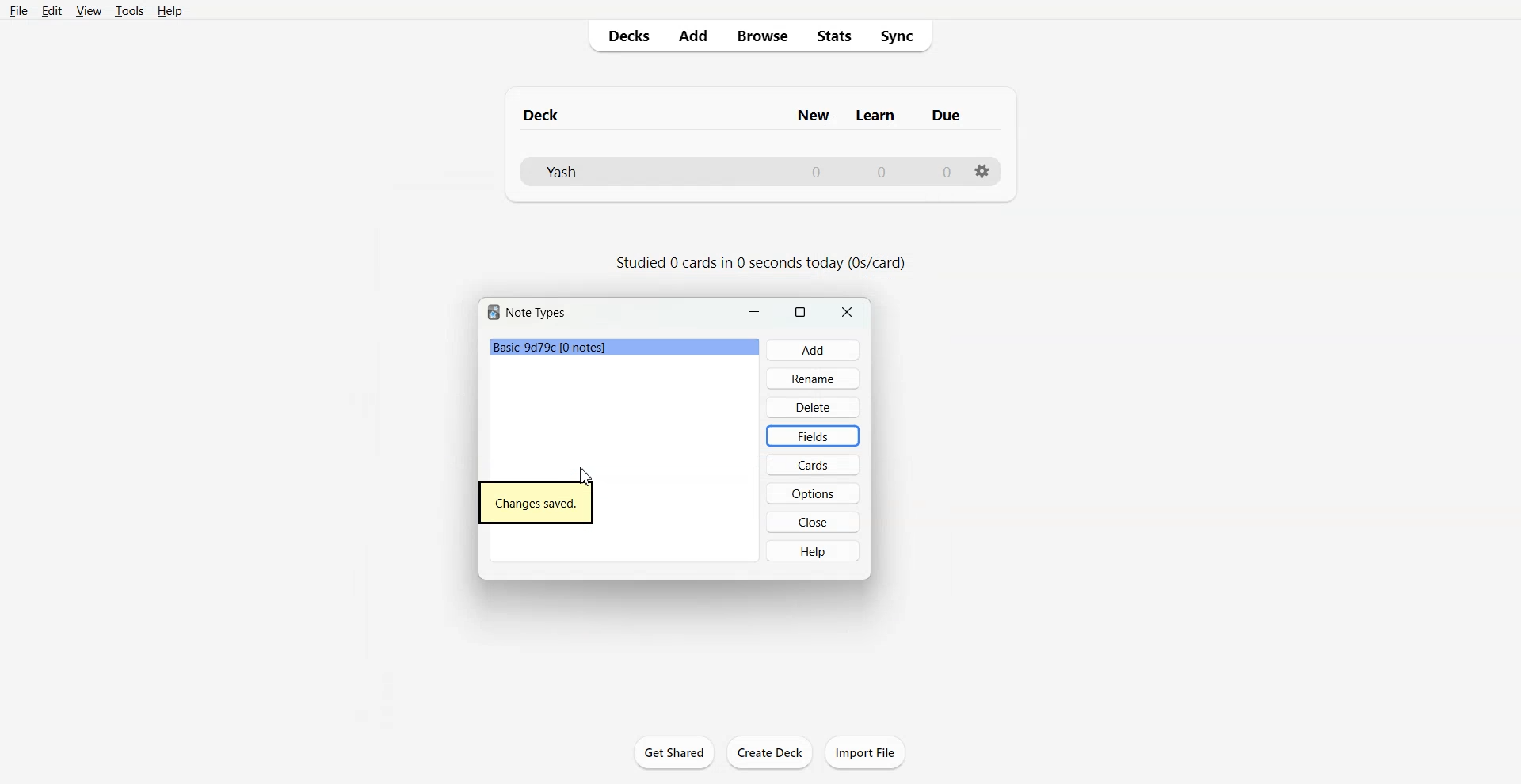 This screenshot has height=784, width=1521. Describe the element at coordinates (51, 11) in the screenshot. I see `Edit` at that location.